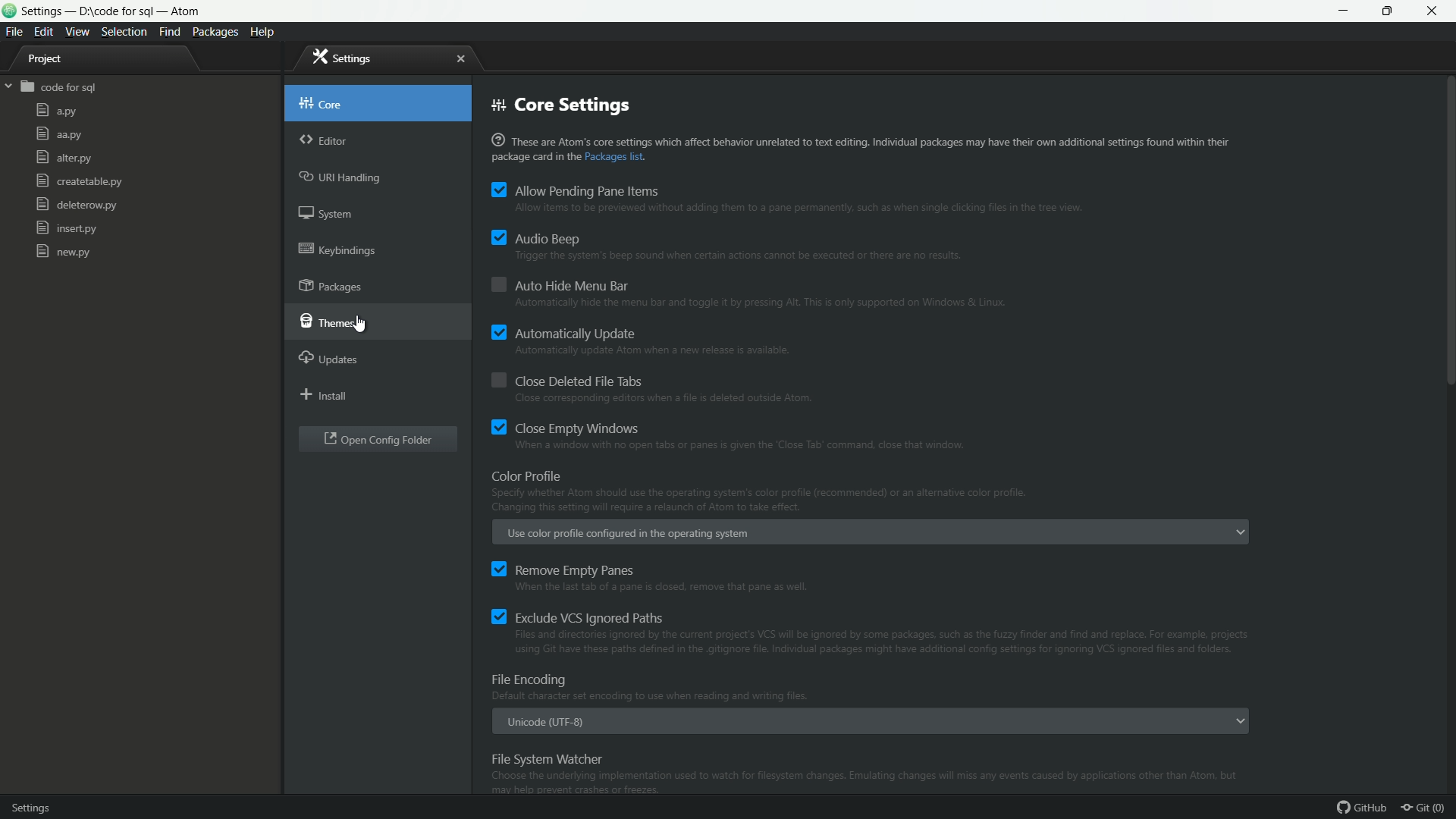 Image resolution: width=1456 pixels, height=819 pixels. Describe the element at coordinates (78, 182) in the screenshot. I see `createtable.py file` at that location.